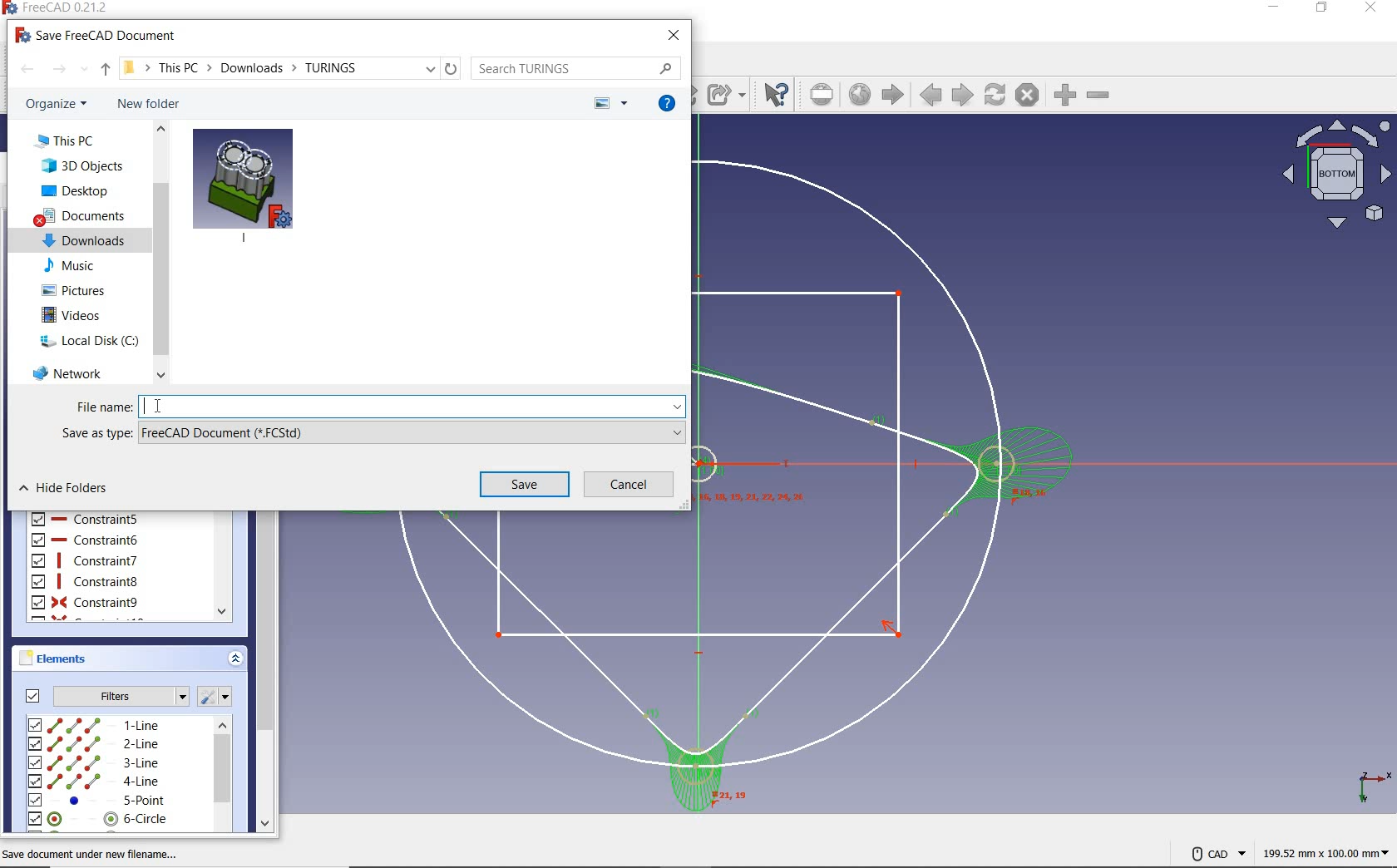 This screenshot has width=1397, height=868. Describe the element at coordinates (268, 672) in the screenshot. I see `scroll bar` at that location.